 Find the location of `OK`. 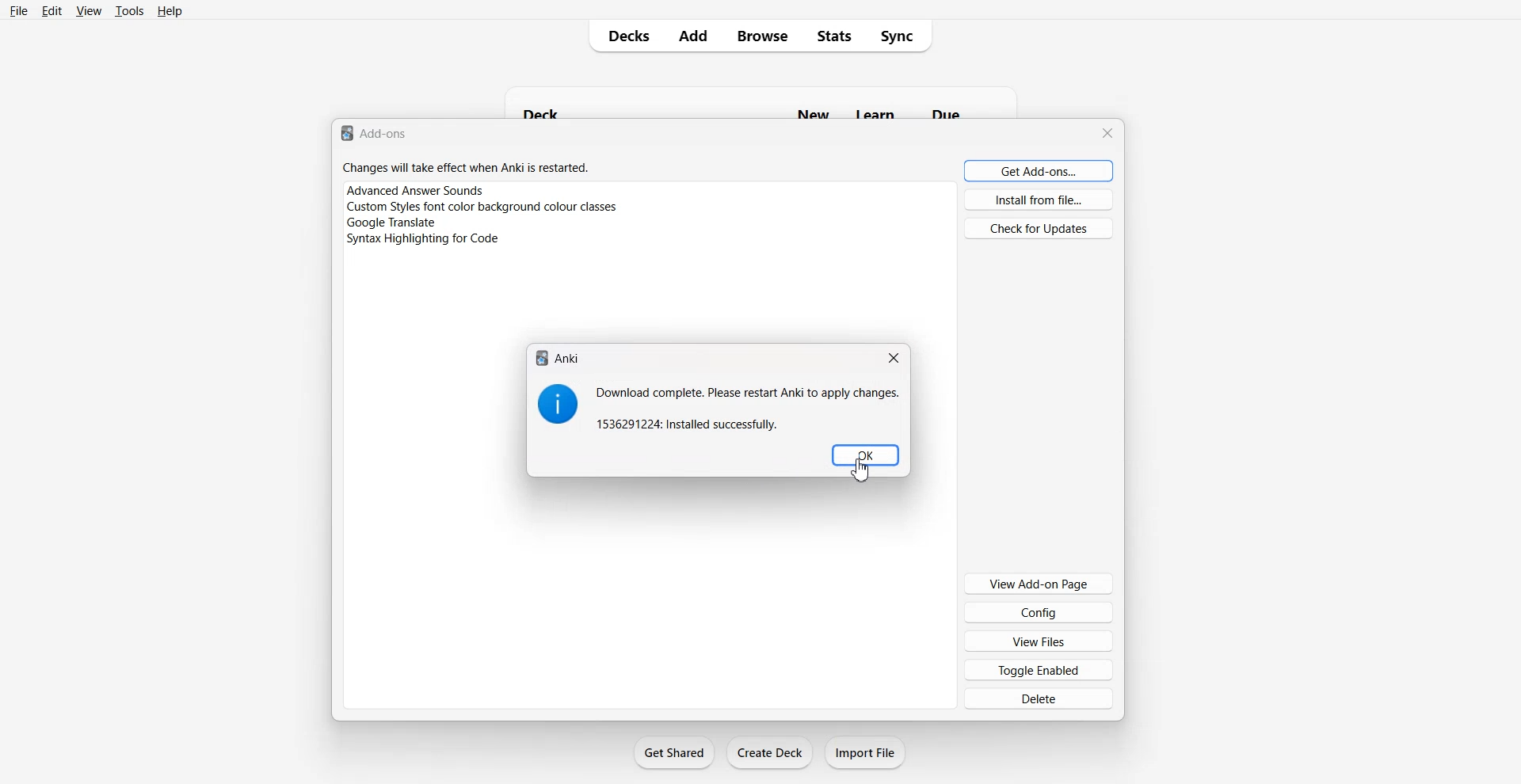

OK is located at coordinates (863, 455).